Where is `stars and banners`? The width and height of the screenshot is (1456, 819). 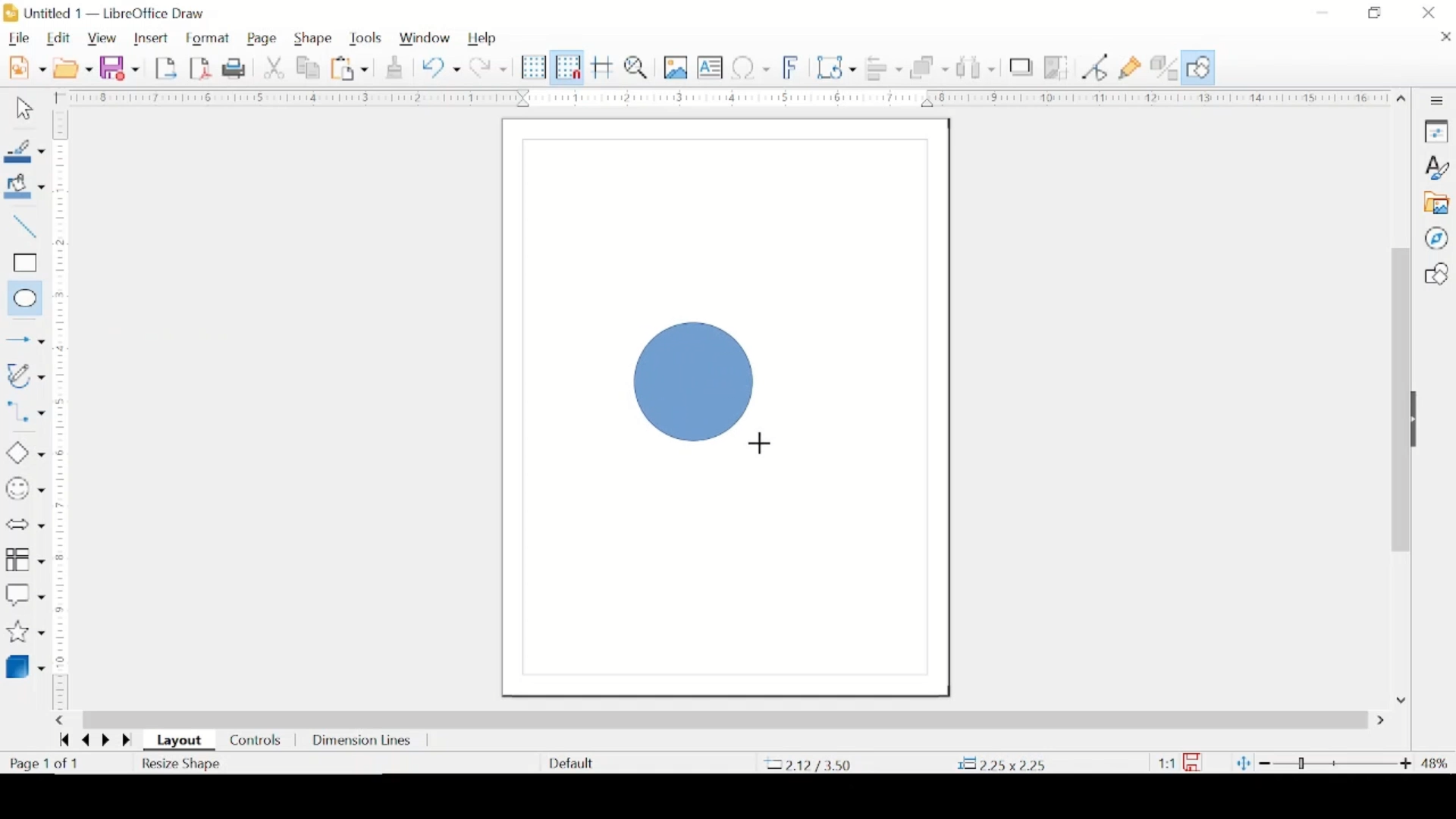
stars and banners is located at coordinates (24, 633).